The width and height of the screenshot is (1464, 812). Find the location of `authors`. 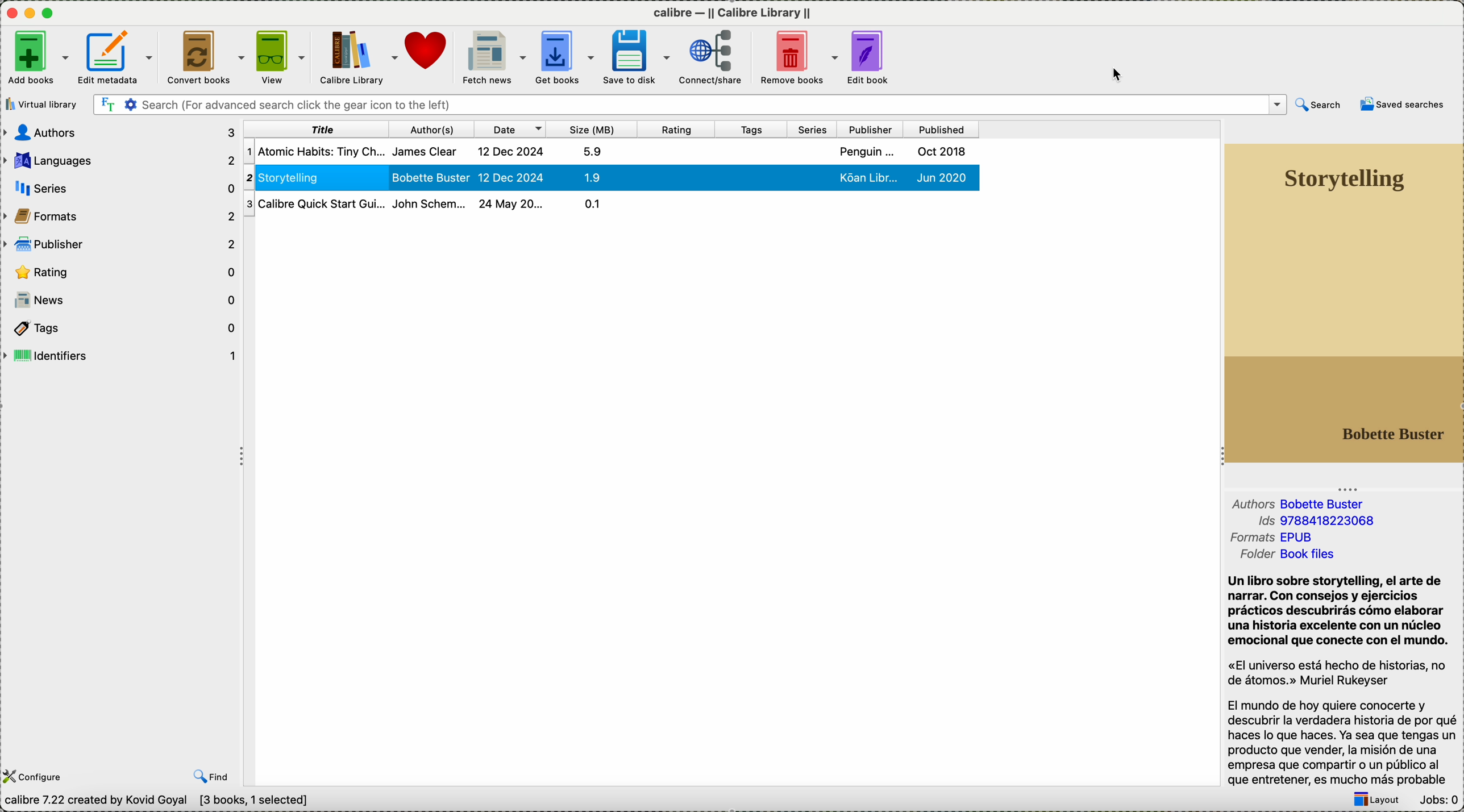

authors is located at coordinates (1295, 502).